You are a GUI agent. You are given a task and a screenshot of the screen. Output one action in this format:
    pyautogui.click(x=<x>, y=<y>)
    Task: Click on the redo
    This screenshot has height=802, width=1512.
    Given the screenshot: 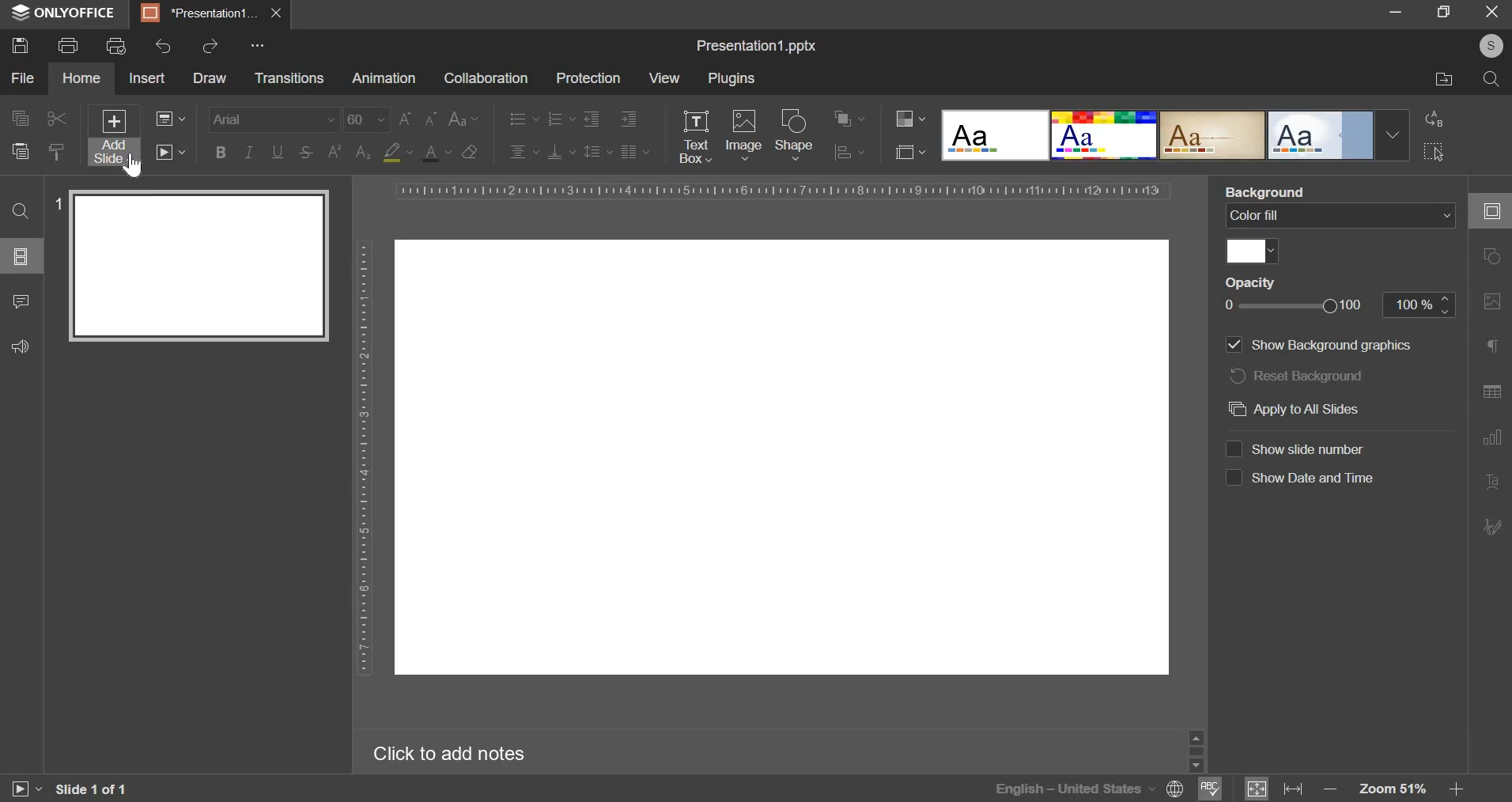 What is the action you would take?
    pyautogui.click(x=209, y=45)
    